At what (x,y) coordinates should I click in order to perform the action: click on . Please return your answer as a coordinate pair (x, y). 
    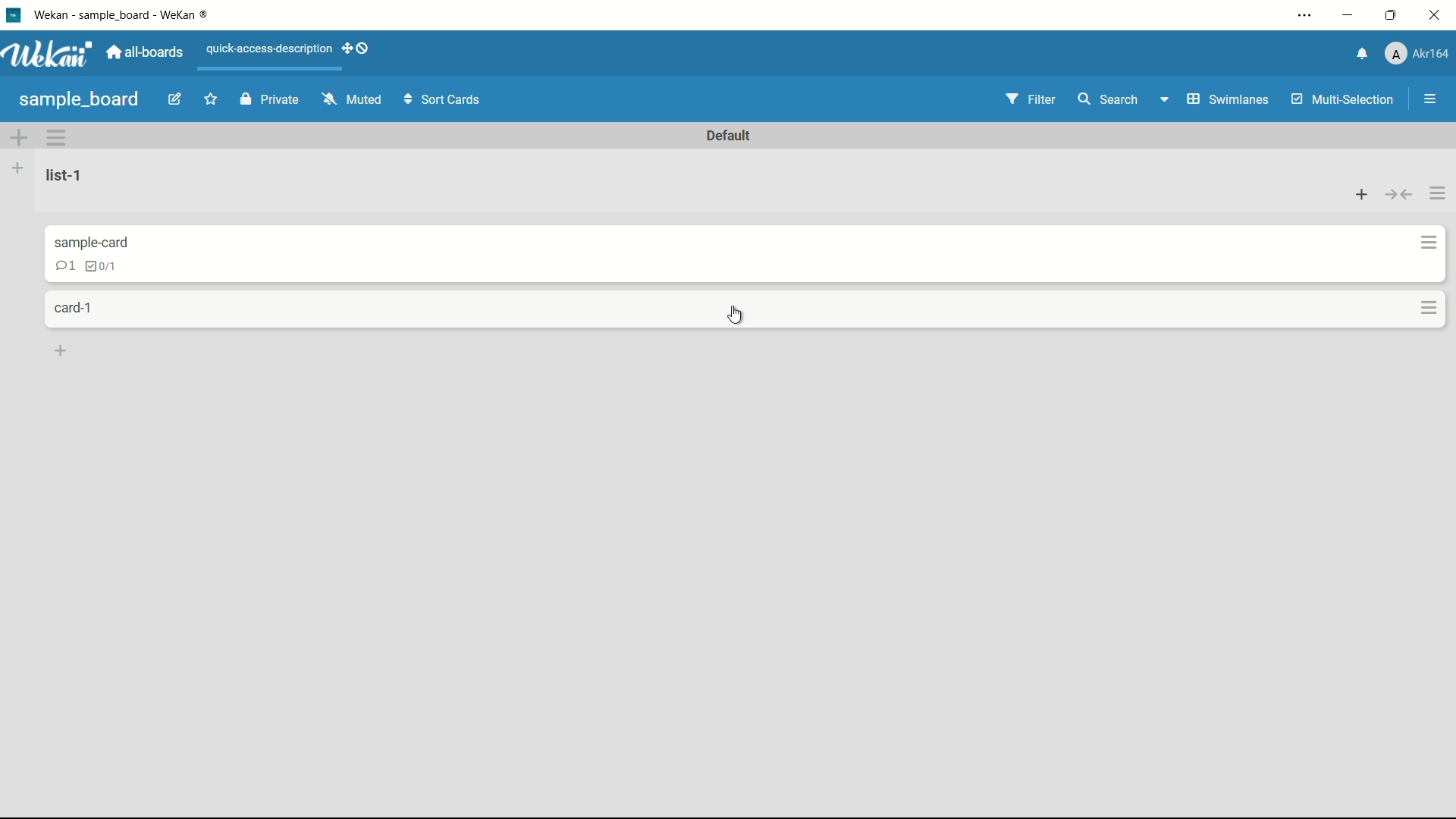
    Looking at the image, I should click on (95, 241).